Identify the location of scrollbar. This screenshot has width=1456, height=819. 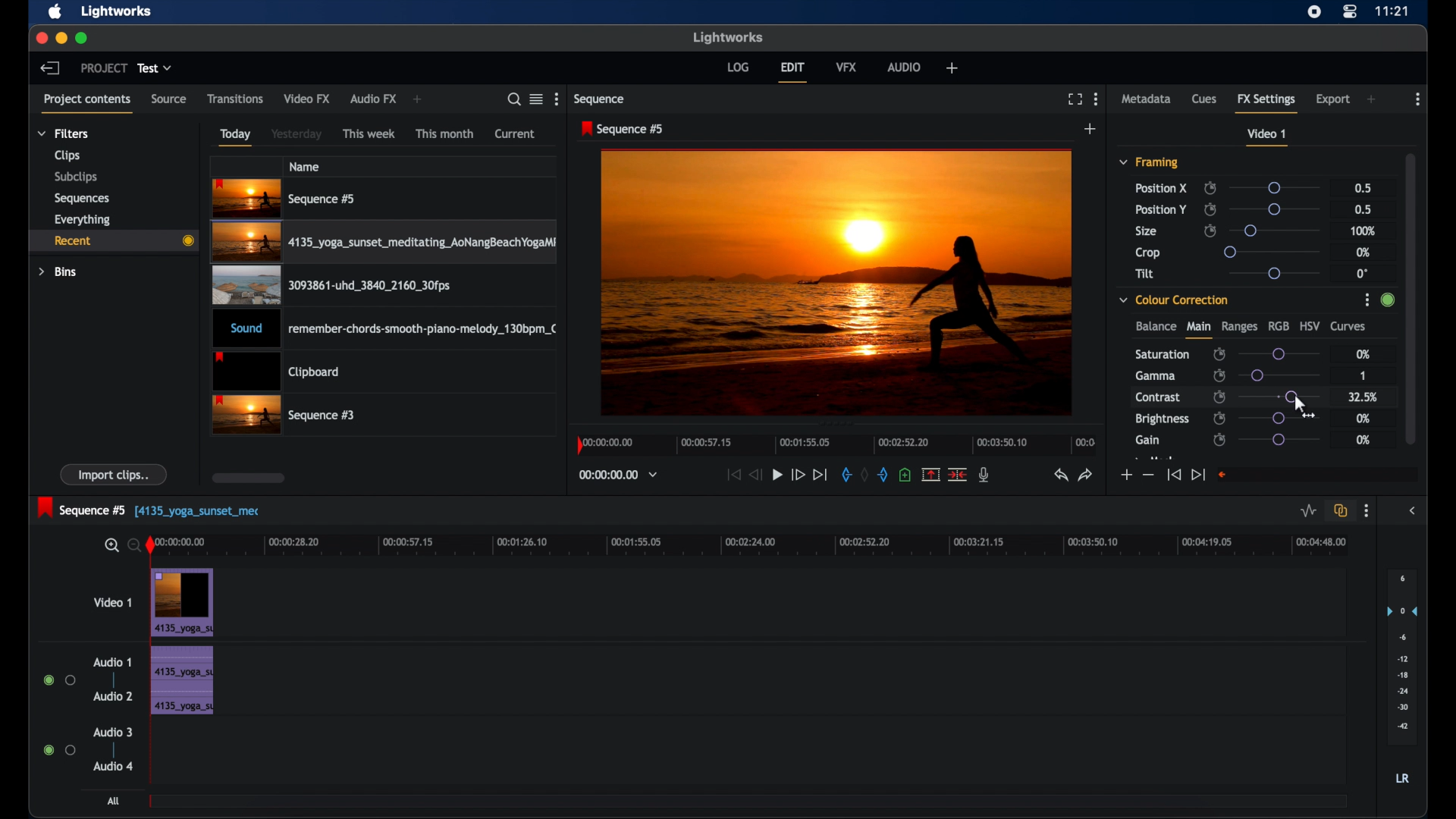
(1413, 297).